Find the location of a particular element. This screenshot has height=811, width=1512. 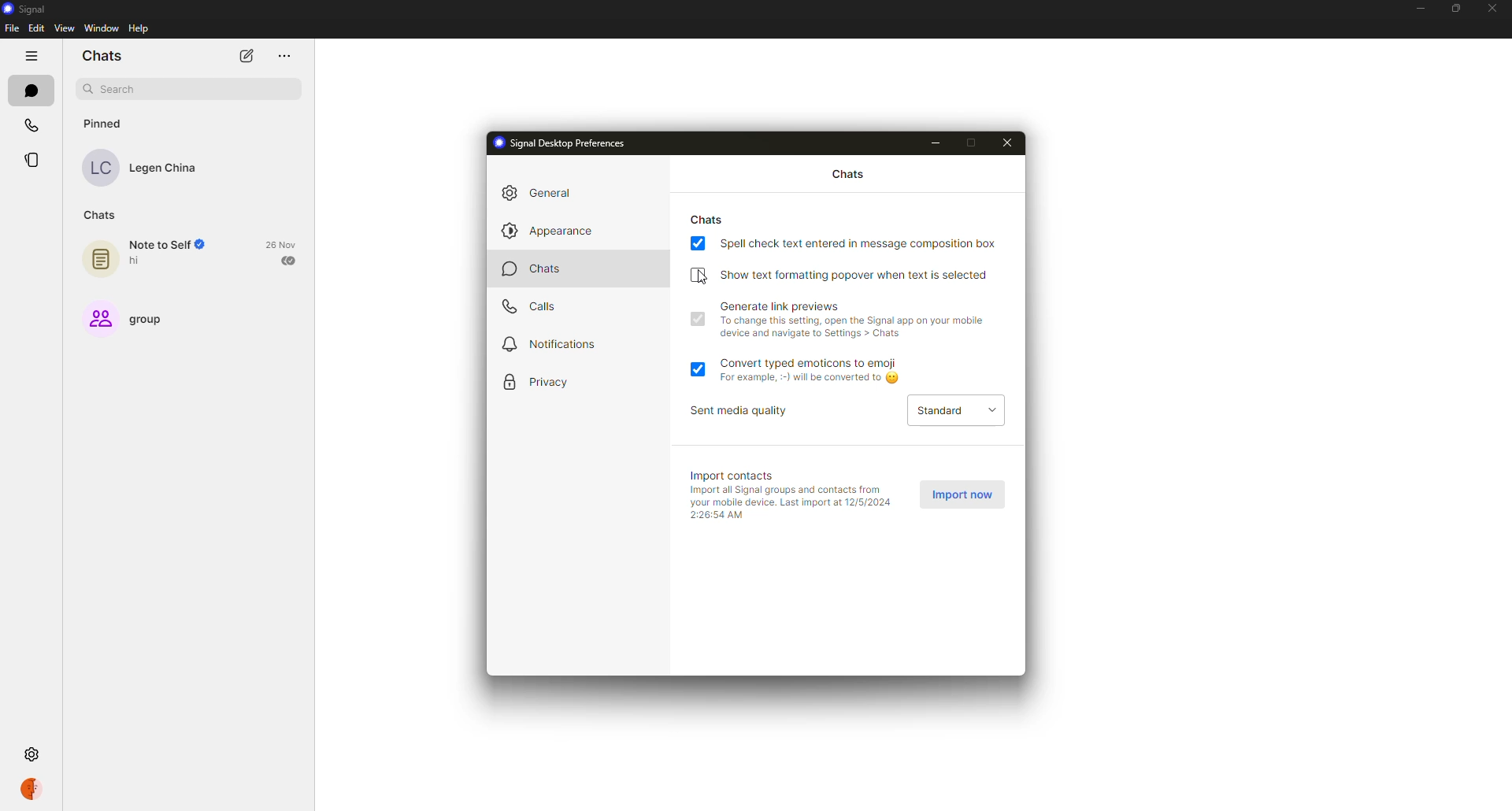

date is located at coordinates (282, 244).